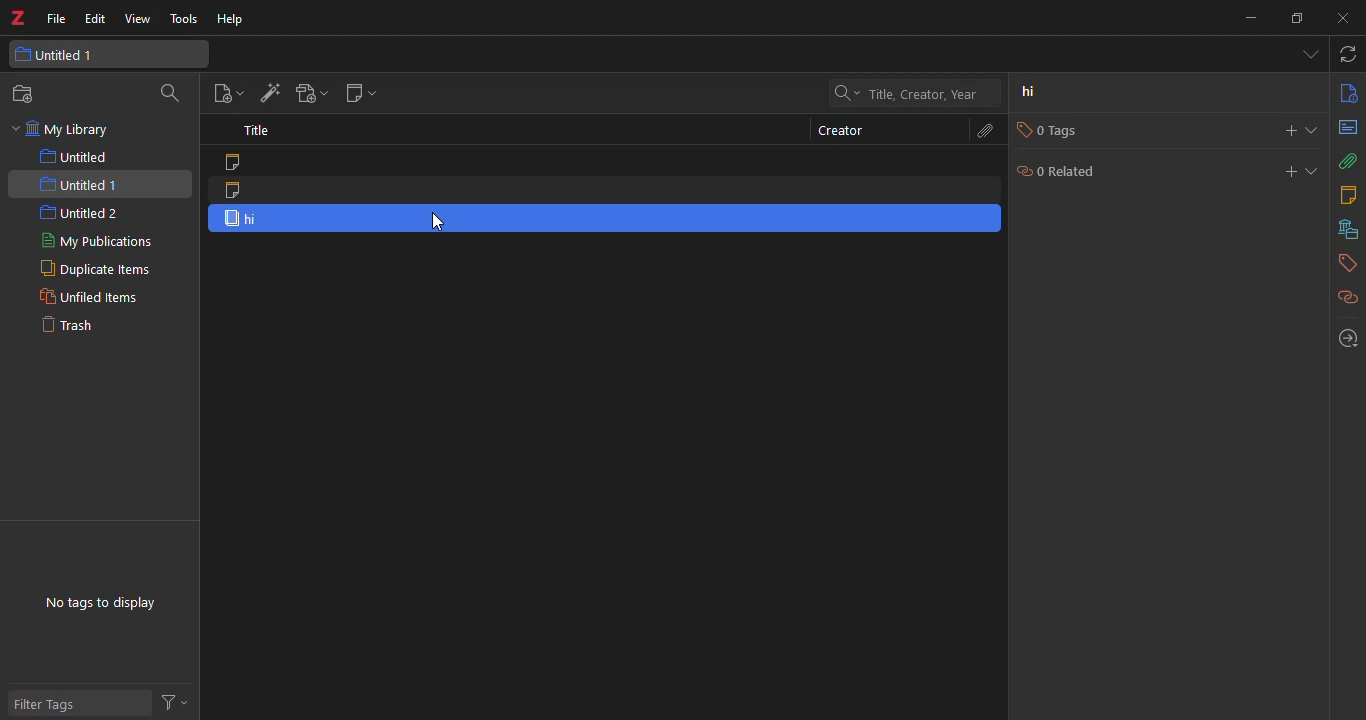 This screenshot has width=1366, height=720. I want to click on minimize, so click(1247, 20).